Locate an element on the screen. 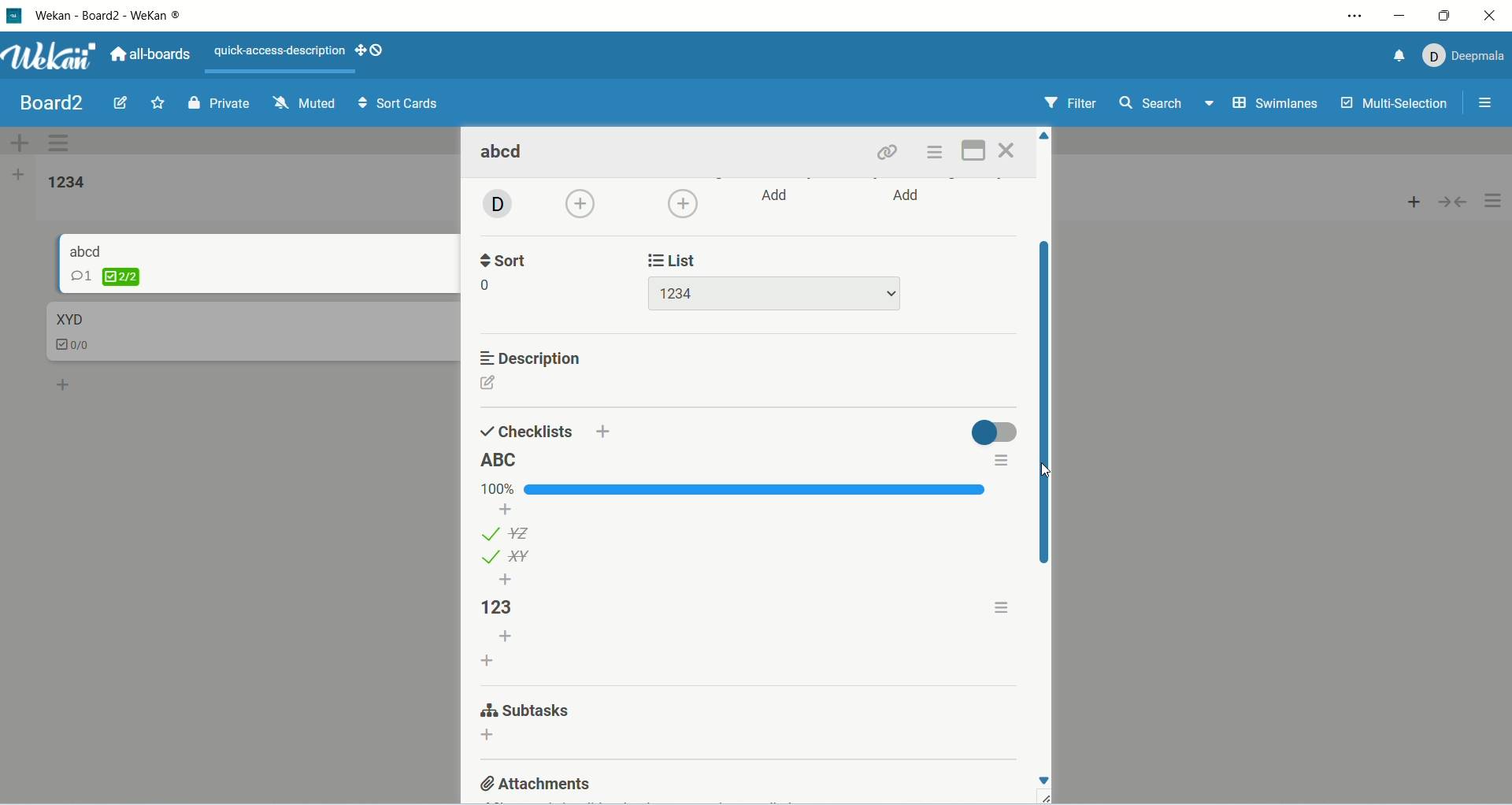 The width and height of the screenshot is (1512, 805). Down is located at coordinates (1043, 781).